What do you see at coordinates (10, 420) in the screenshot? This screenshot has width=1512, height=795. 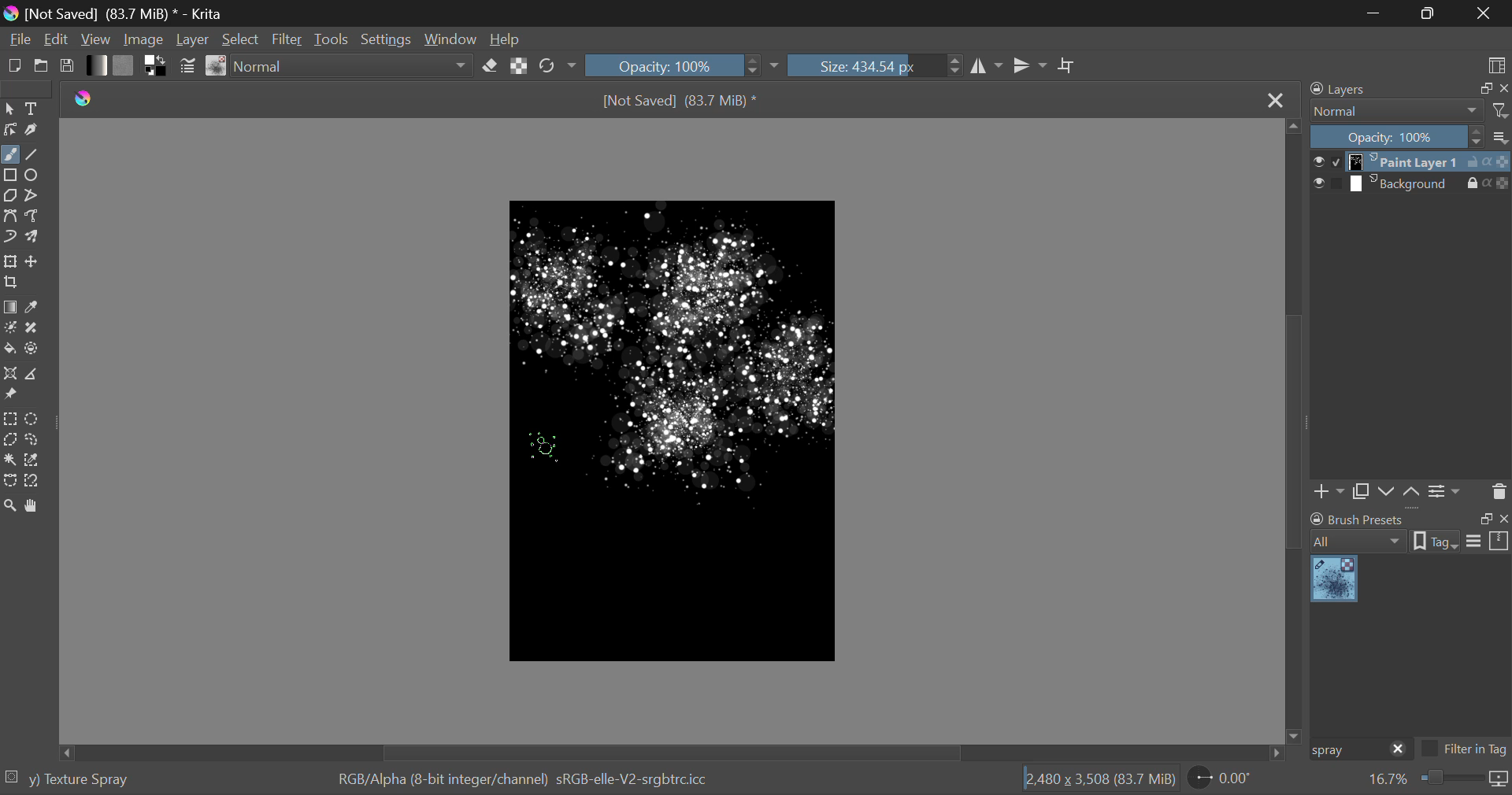 I see `Rectangular Selection` at bounding box center [10, 420].